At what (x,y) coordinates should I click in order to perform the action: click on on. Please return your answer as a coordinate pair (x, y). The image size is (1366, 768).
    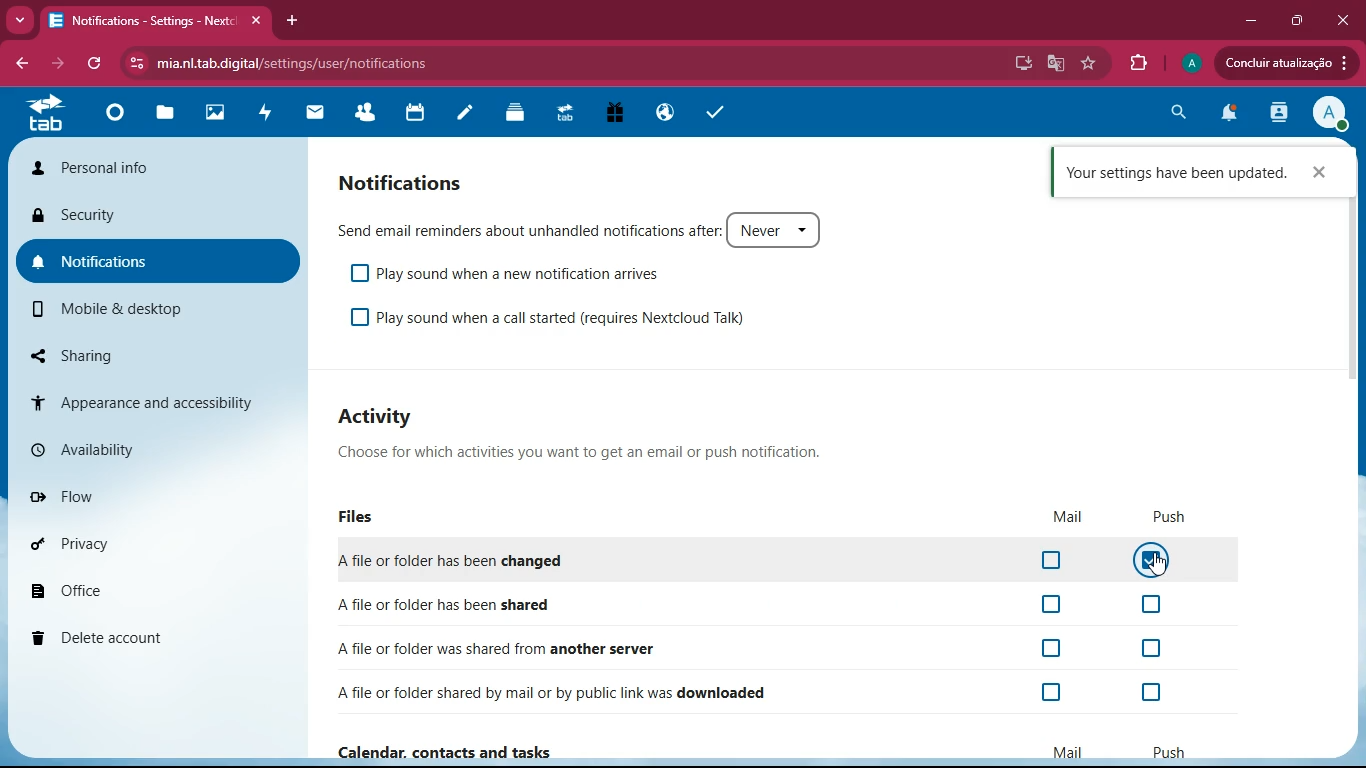
    Looking at the image, I should click on (1058, 692).